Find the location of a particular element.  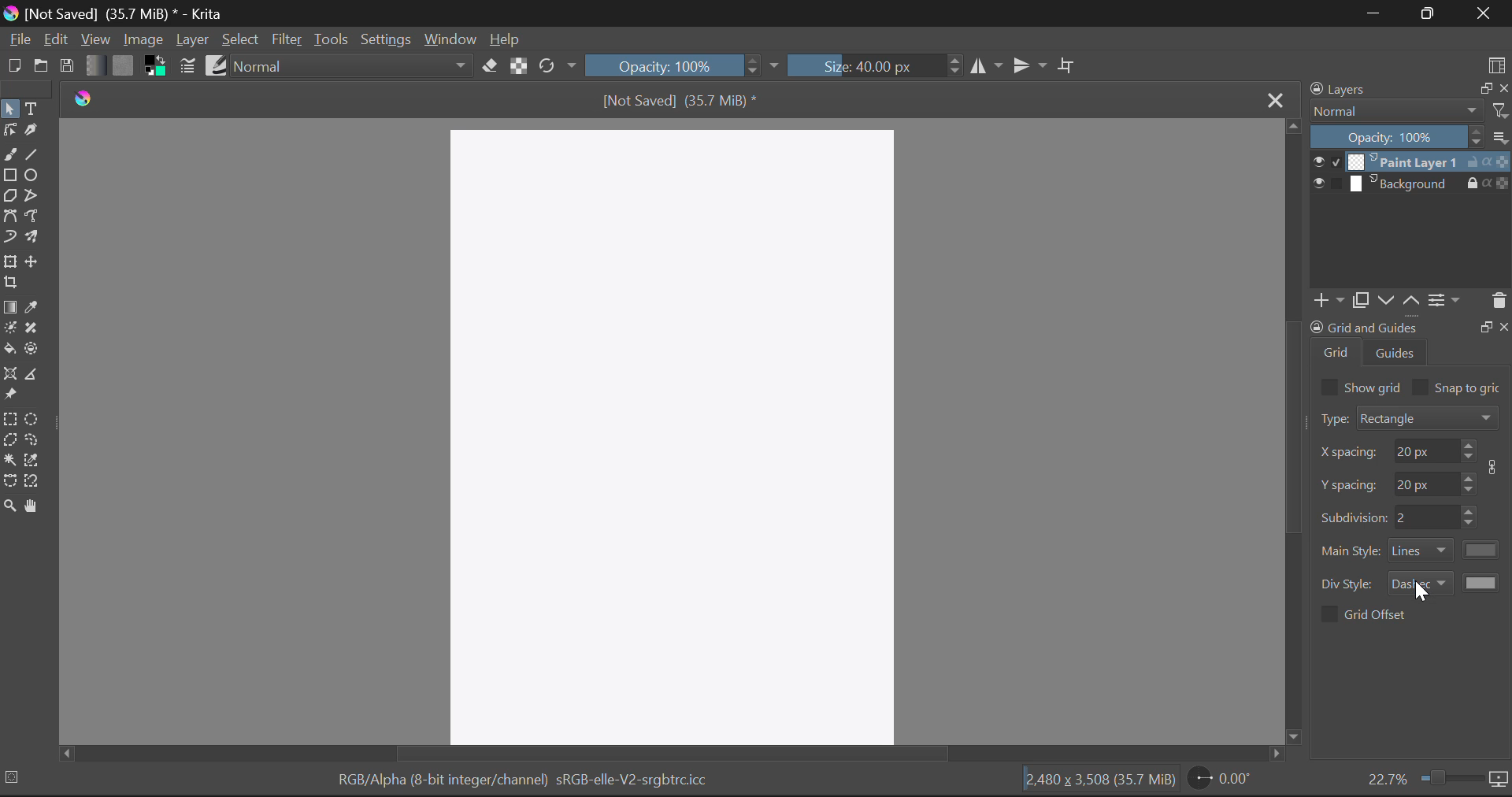

show grid is located at coordinates (1374, 387).